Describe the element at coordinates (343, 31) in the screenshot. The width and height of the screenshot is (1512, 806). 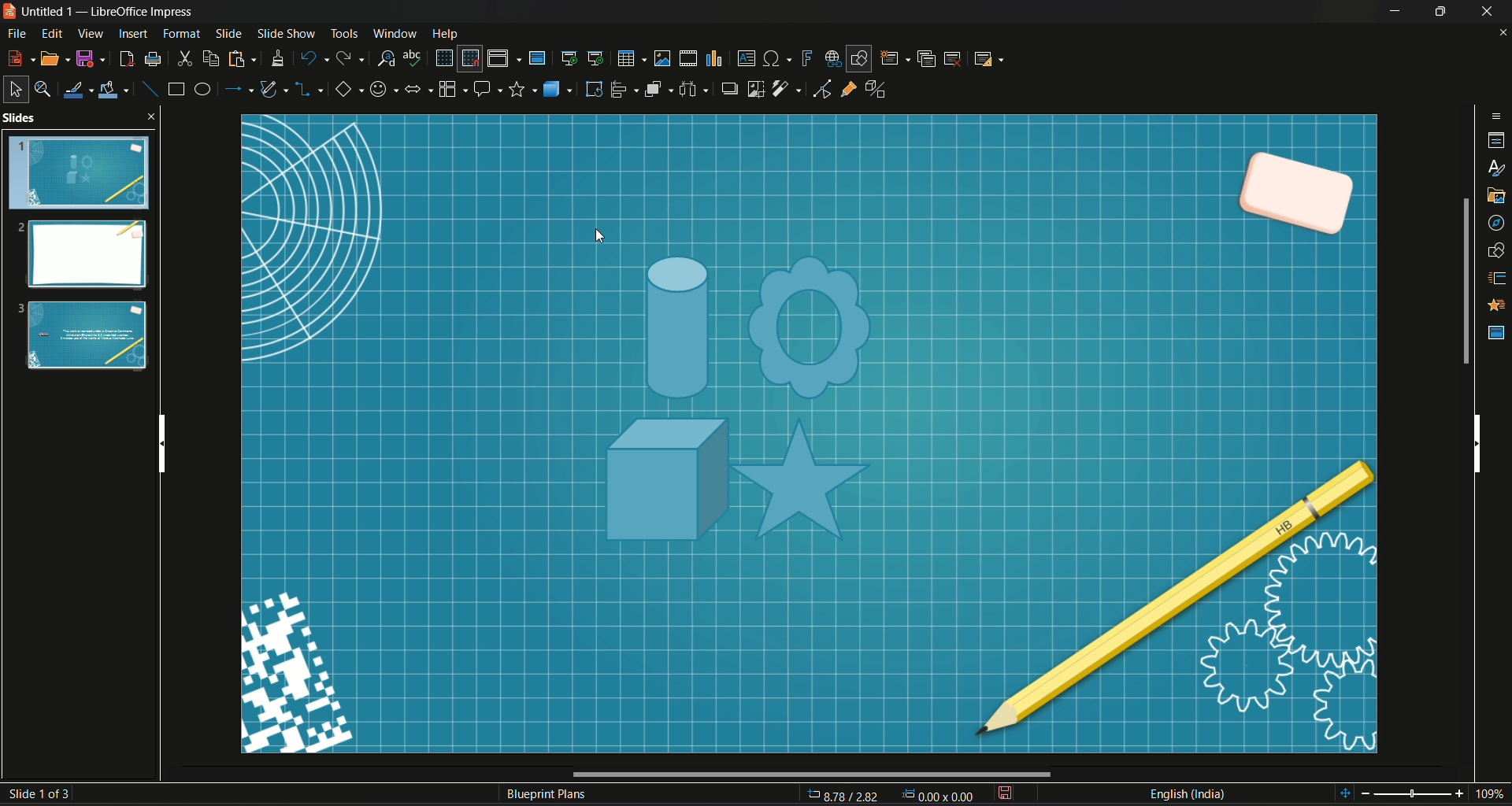
I see `Tools` at that location.